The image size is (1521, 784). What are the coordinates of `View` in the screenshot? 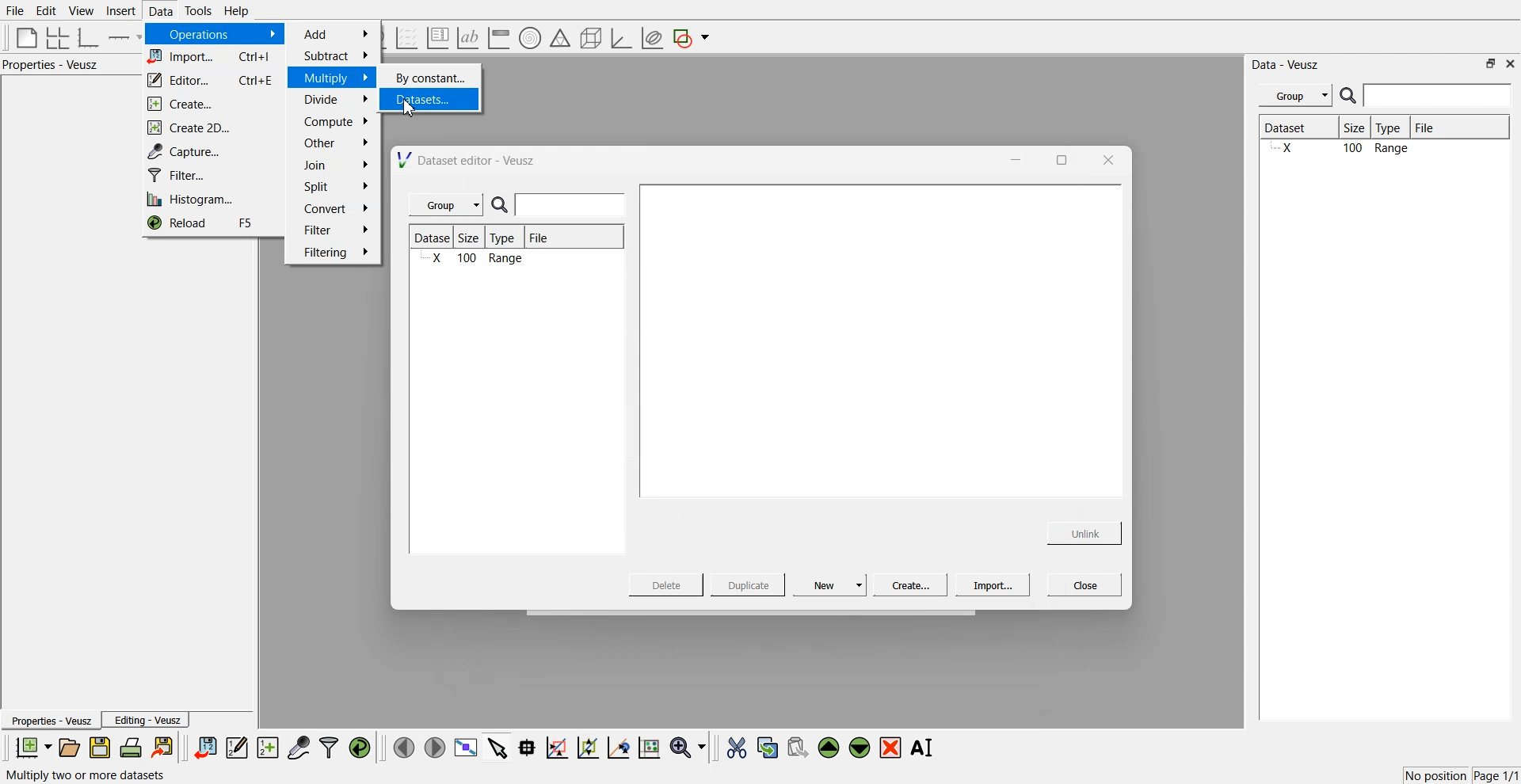 It's located at (80, 11).